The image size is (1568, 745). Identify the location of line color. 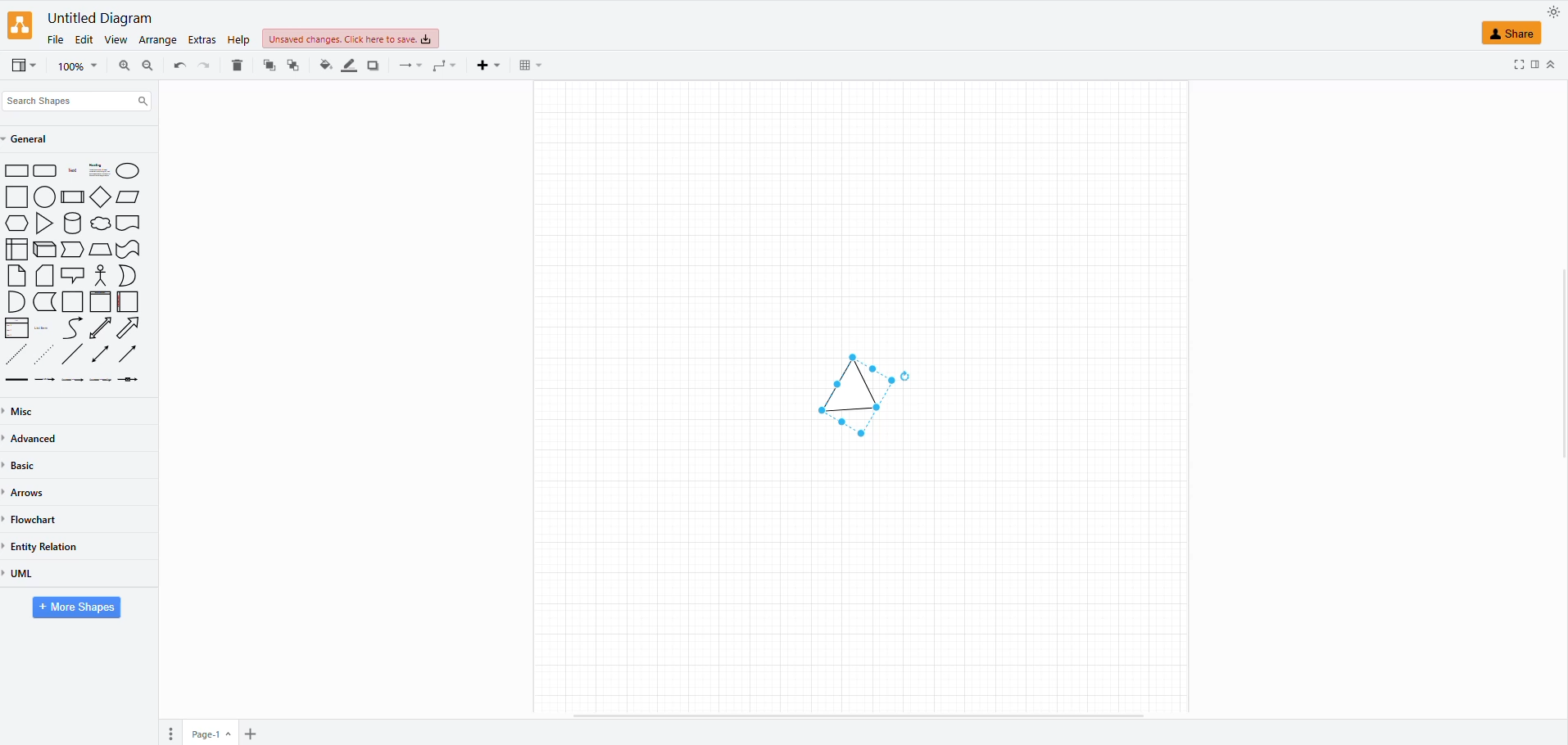
(347, 64).